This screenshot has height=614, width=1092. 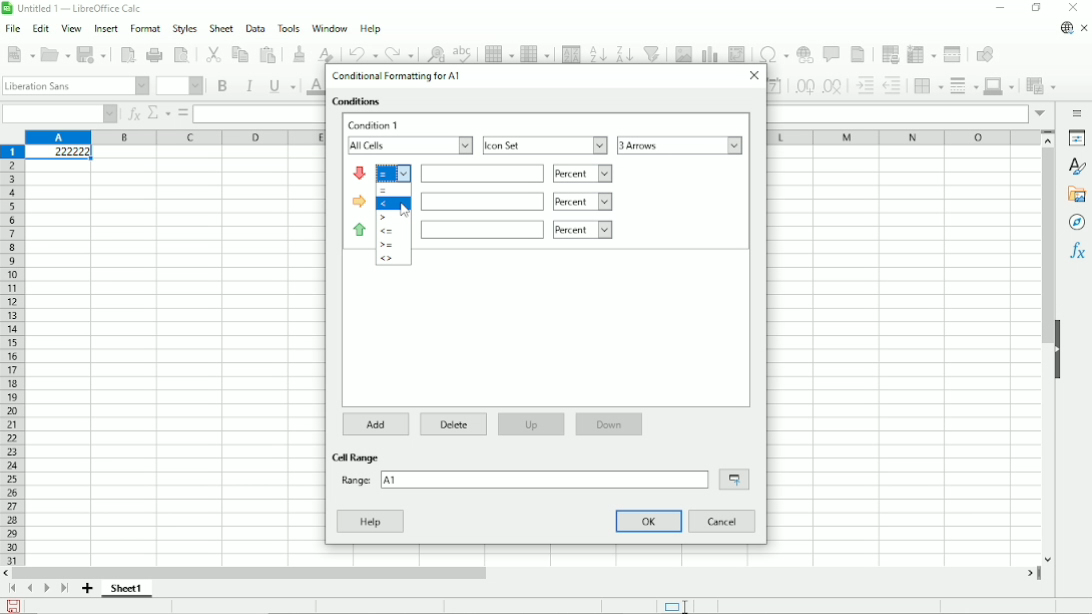 I want to click on Clear direct formatting, so click(x=325, y=53).